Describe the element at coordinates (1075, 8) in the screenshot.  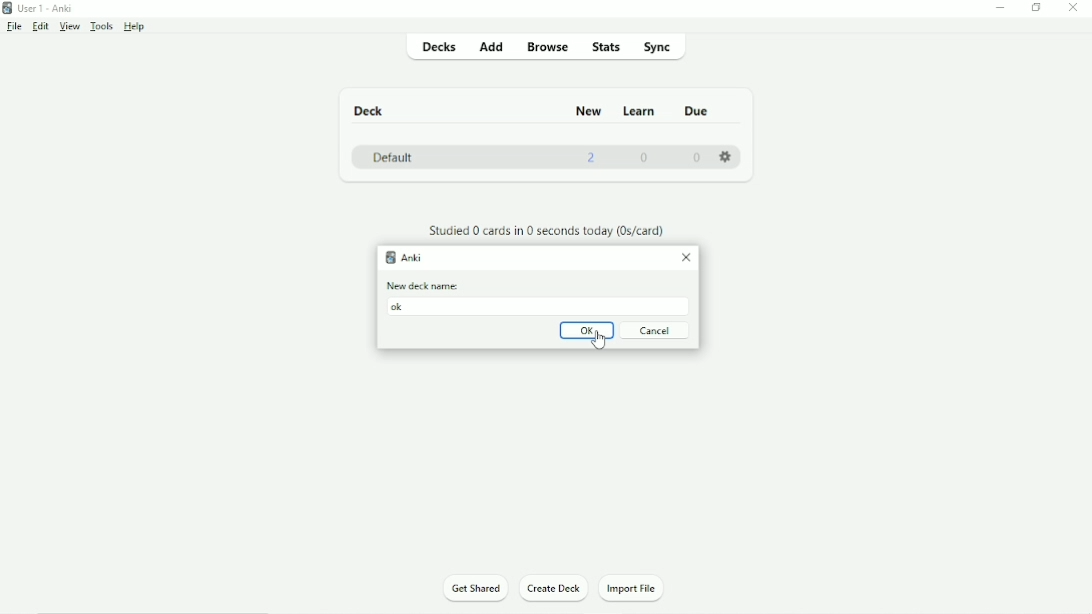
I see `Close` at that location.